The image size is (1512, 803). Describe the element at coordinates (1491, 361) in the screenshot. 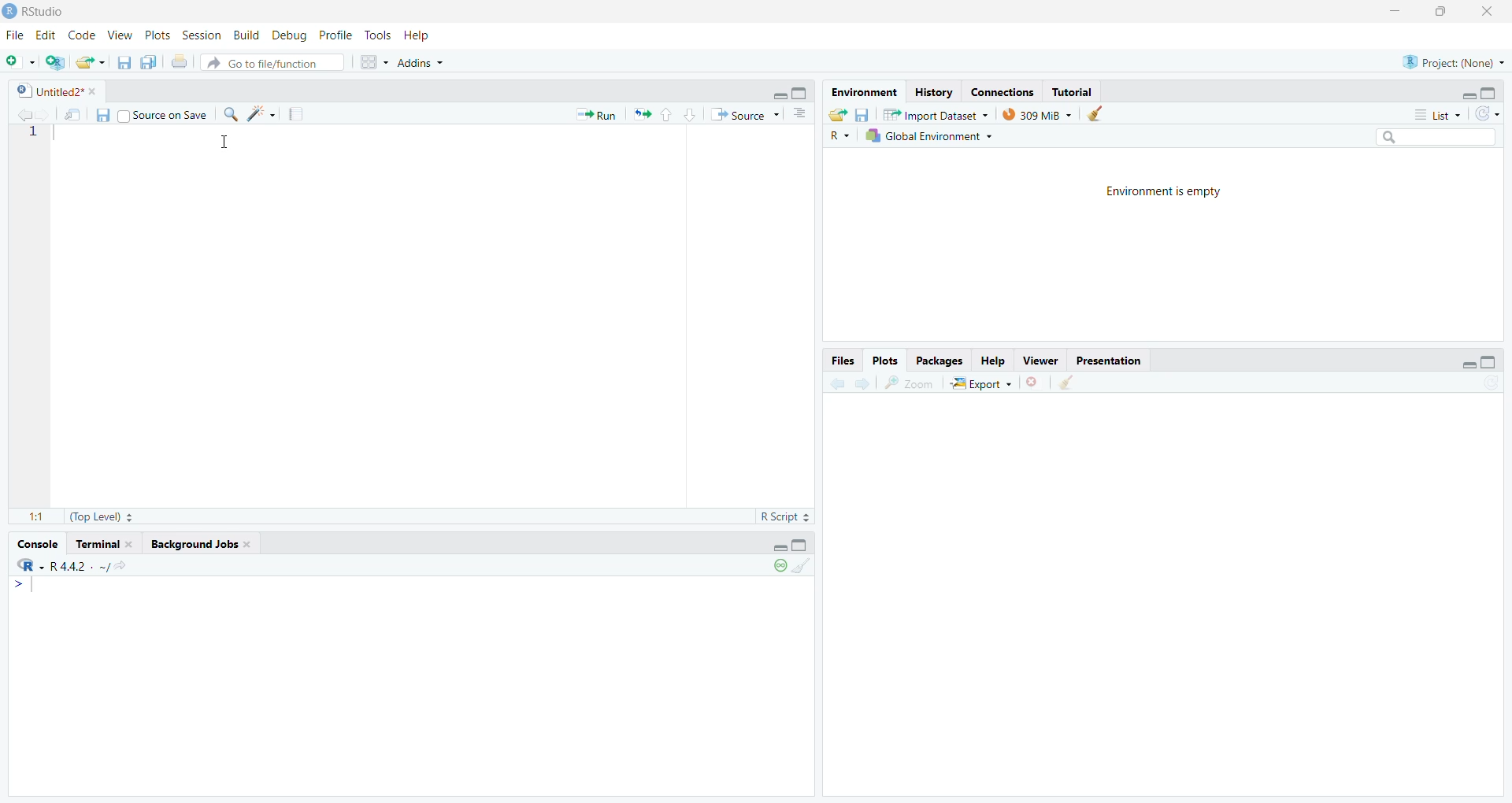

I see `maximise` at that location.